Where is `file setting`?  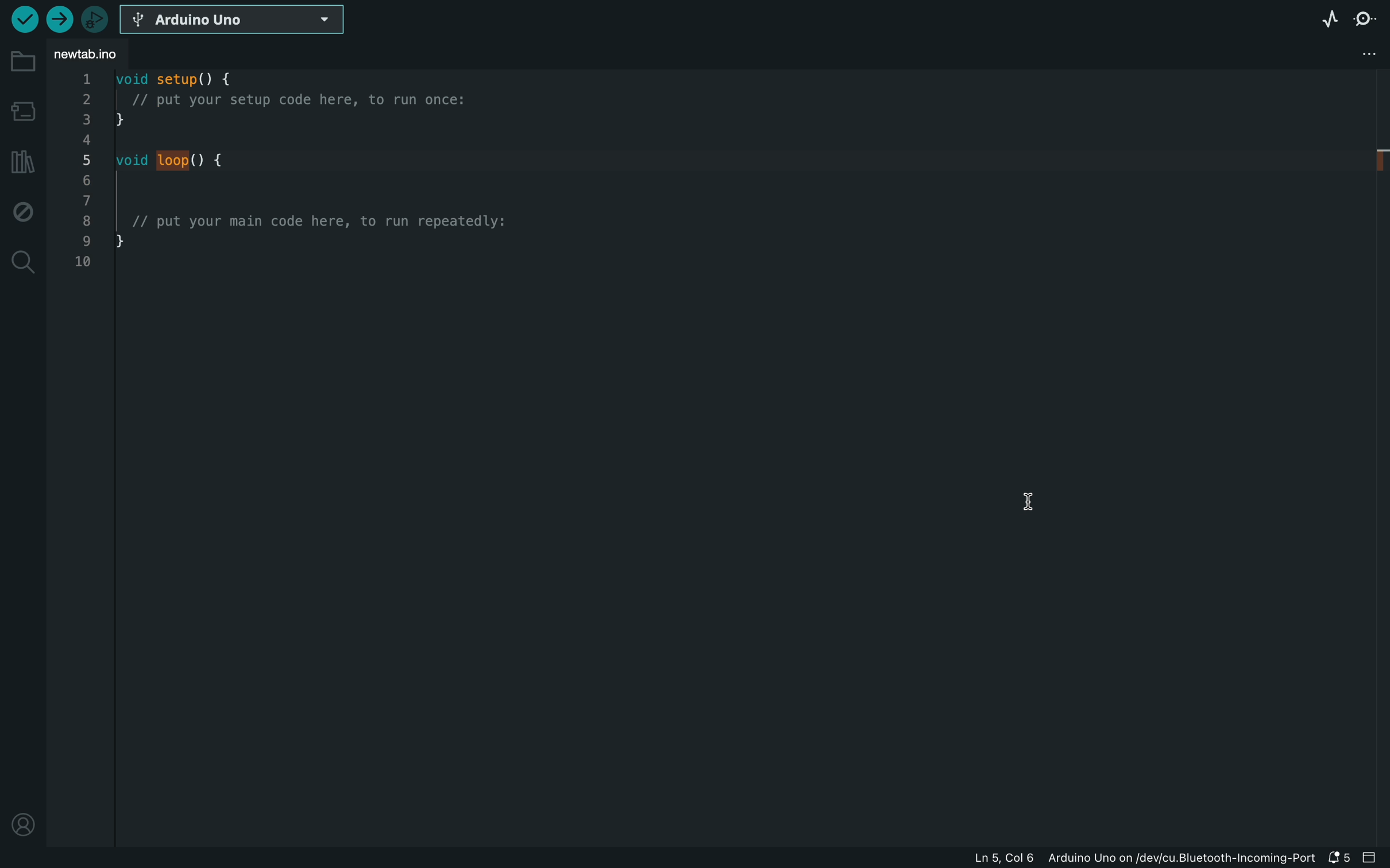 file setting is located at coordinates (1343, 53).